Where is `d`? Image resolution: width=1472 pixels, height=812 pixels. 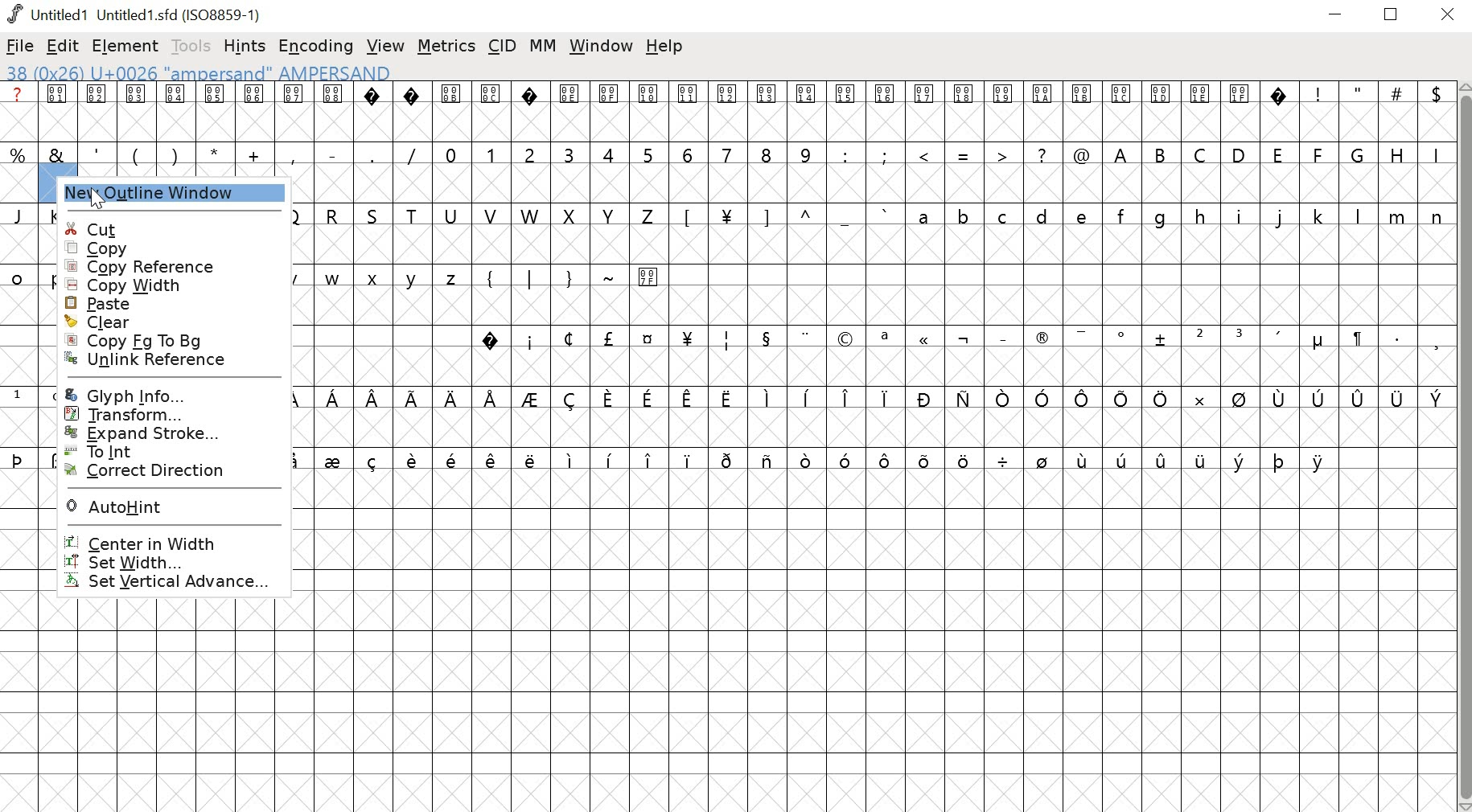
d is located at coordinates (1042, 215).